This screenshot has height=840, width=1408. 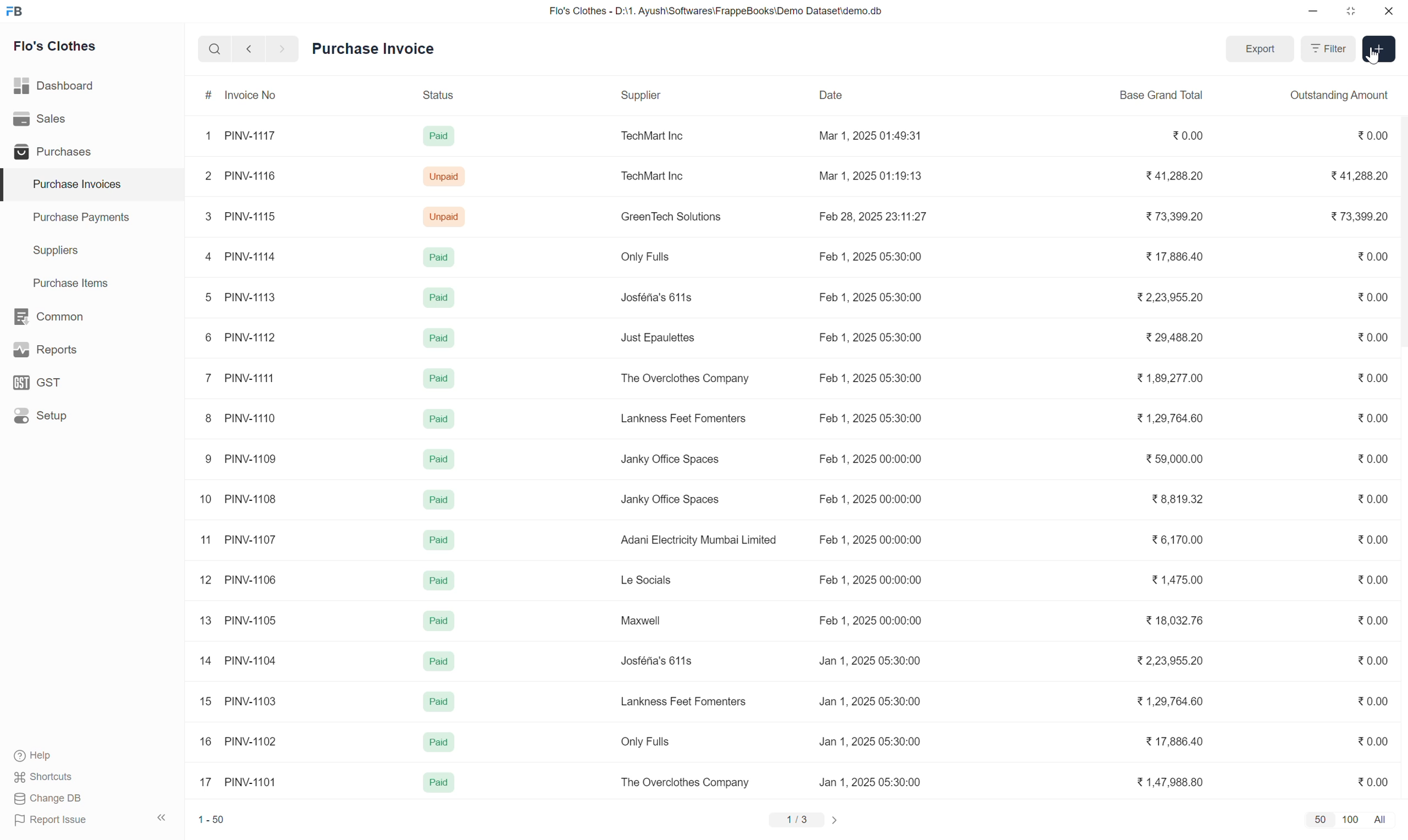 I want to click on 1,475.00, so click(x=1176, y=578).